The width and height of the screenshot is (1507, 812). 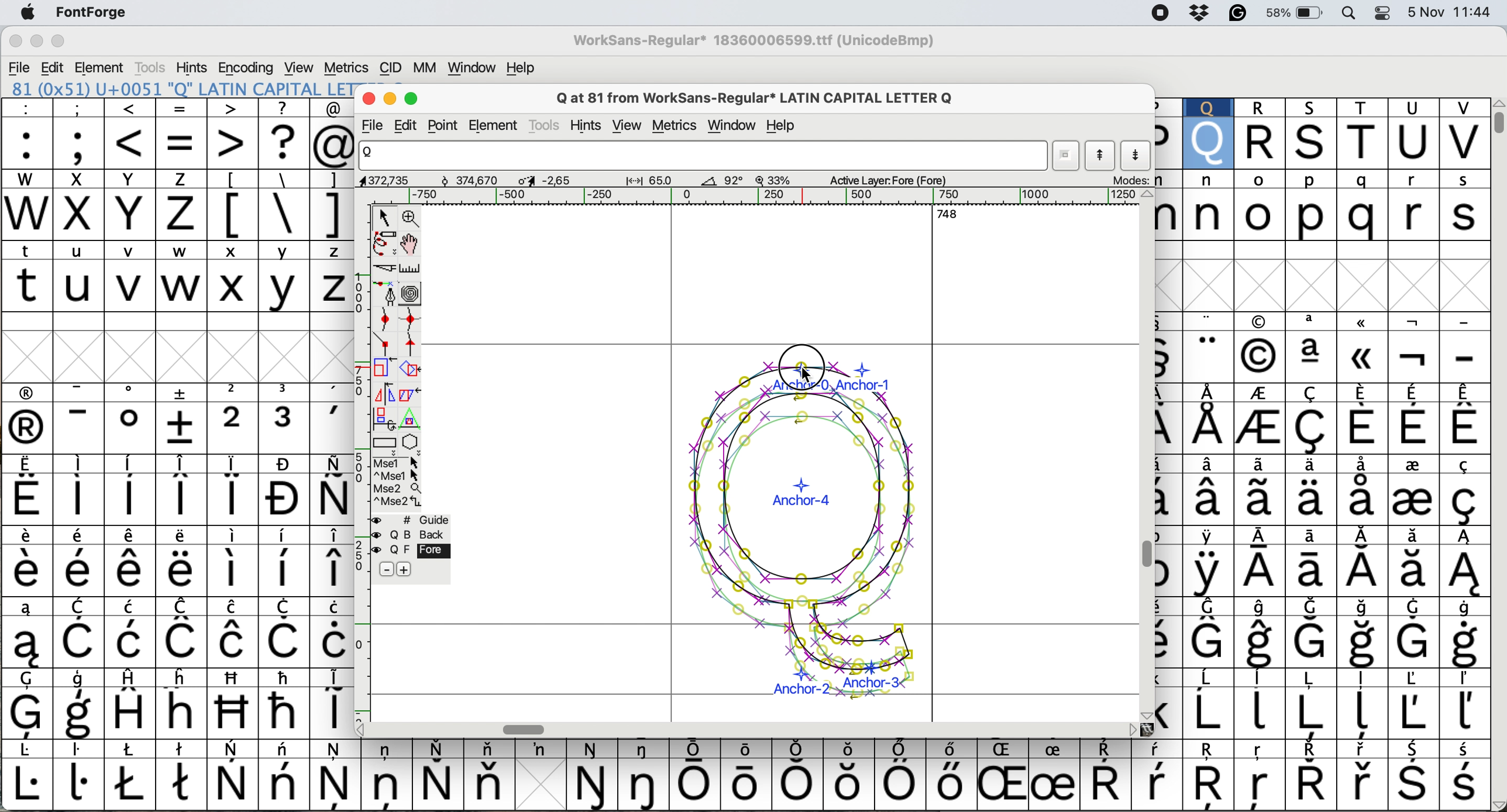 What do you see at coordinates (732, 126) in the screenshot?
I see `window` at bounding box center [732, 126].